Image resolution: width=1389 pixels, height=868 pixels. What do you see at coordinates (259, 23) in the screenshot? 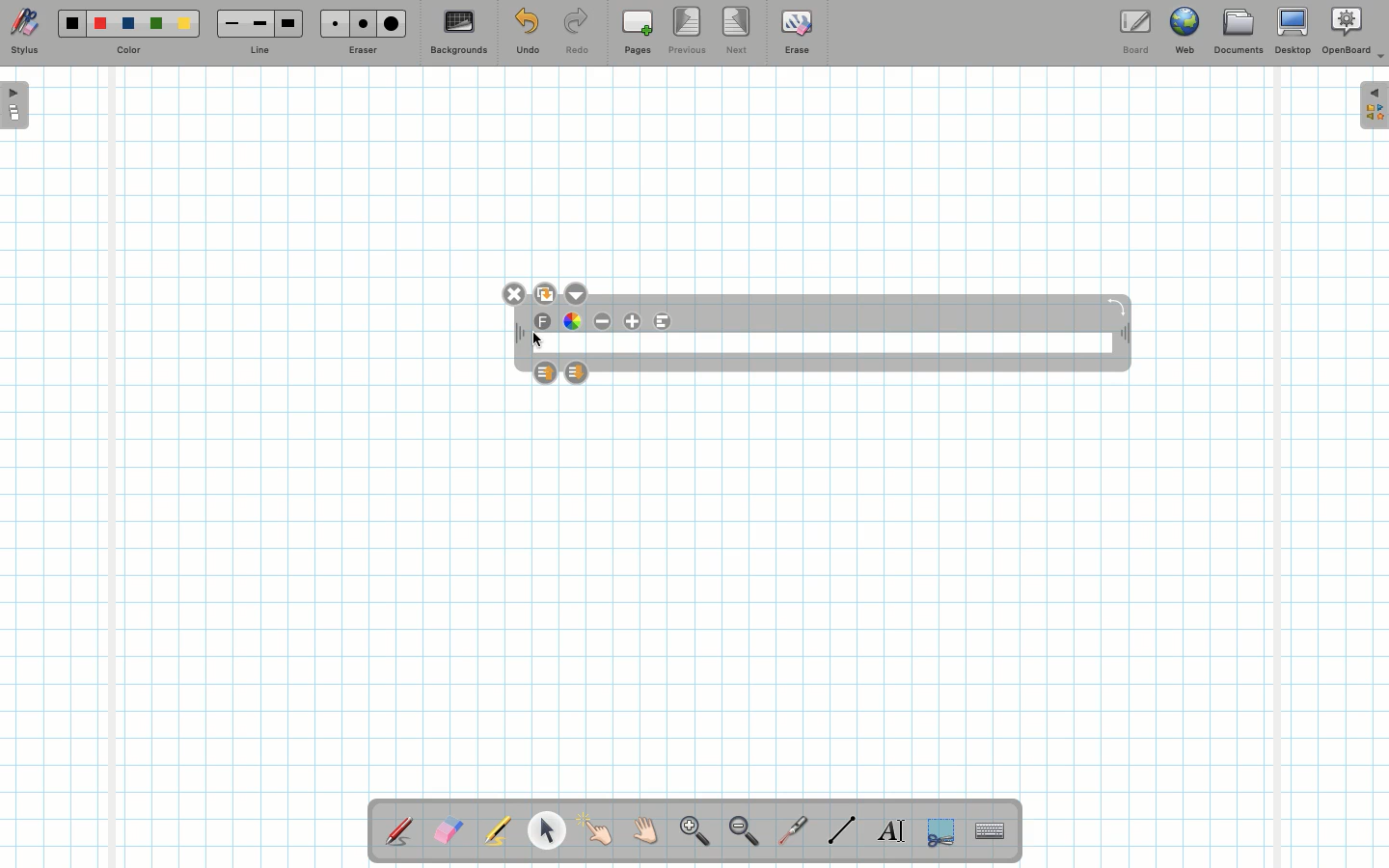
I see `Medium line` at bounding box center [259, 23].